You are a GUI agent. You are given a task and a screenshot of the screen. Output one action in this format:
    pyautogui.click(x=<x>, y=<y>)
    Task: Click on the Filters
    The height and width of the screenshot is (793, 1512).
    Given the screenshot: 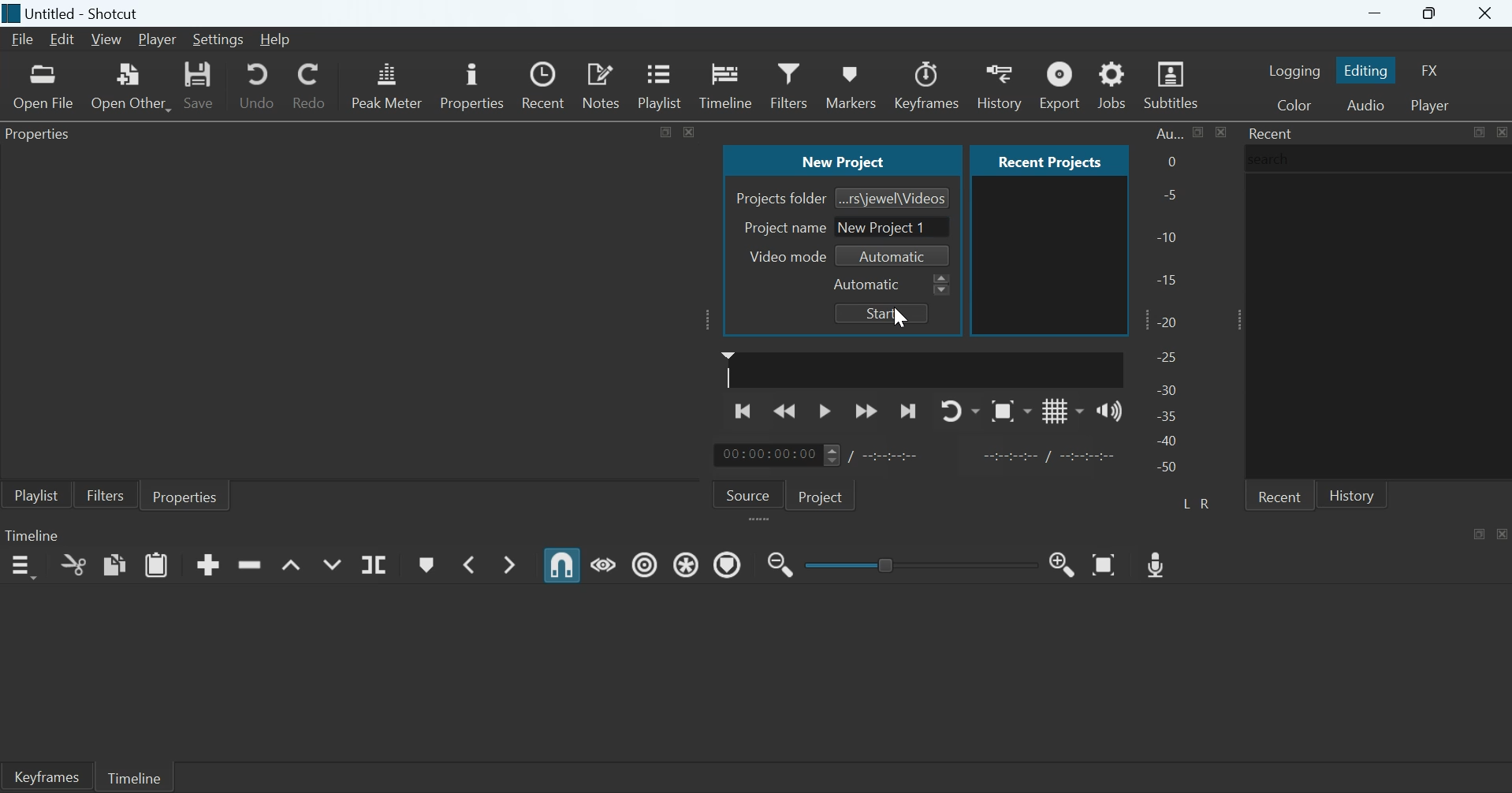 What is the action you would take?
    pyautogui.click(x=788, y=84)
    